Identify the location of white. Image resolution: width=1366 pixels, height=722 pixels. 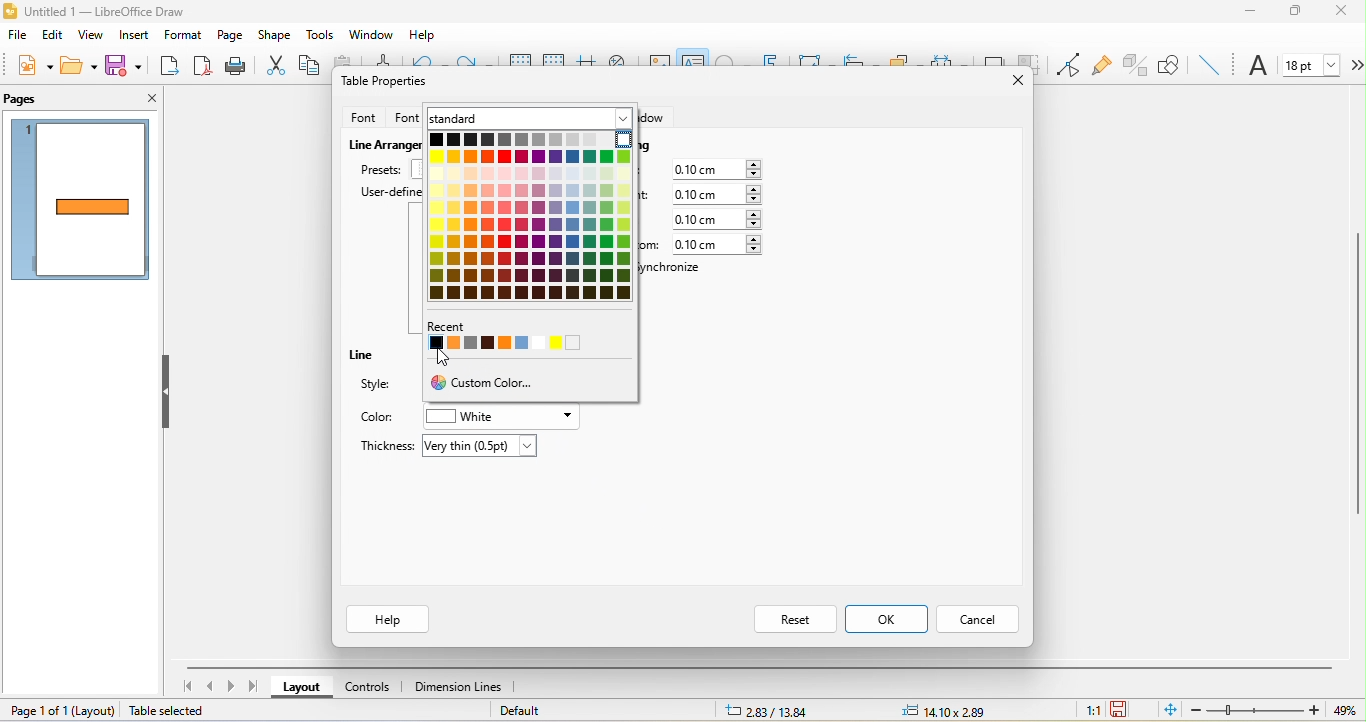
(498, 415).